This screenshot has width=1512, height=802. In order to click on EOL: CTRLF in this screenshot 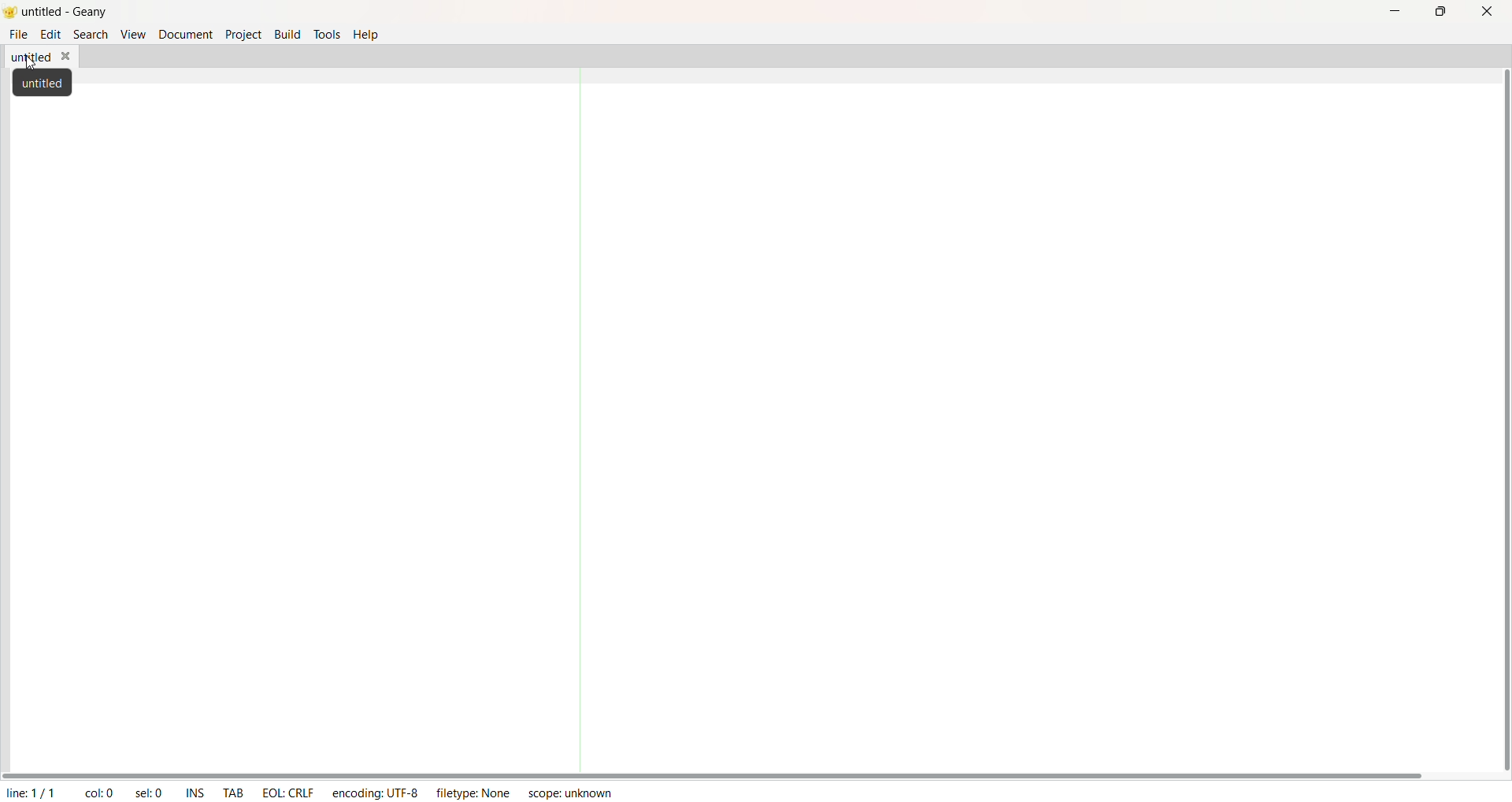, I will do `click(291, 790)`.